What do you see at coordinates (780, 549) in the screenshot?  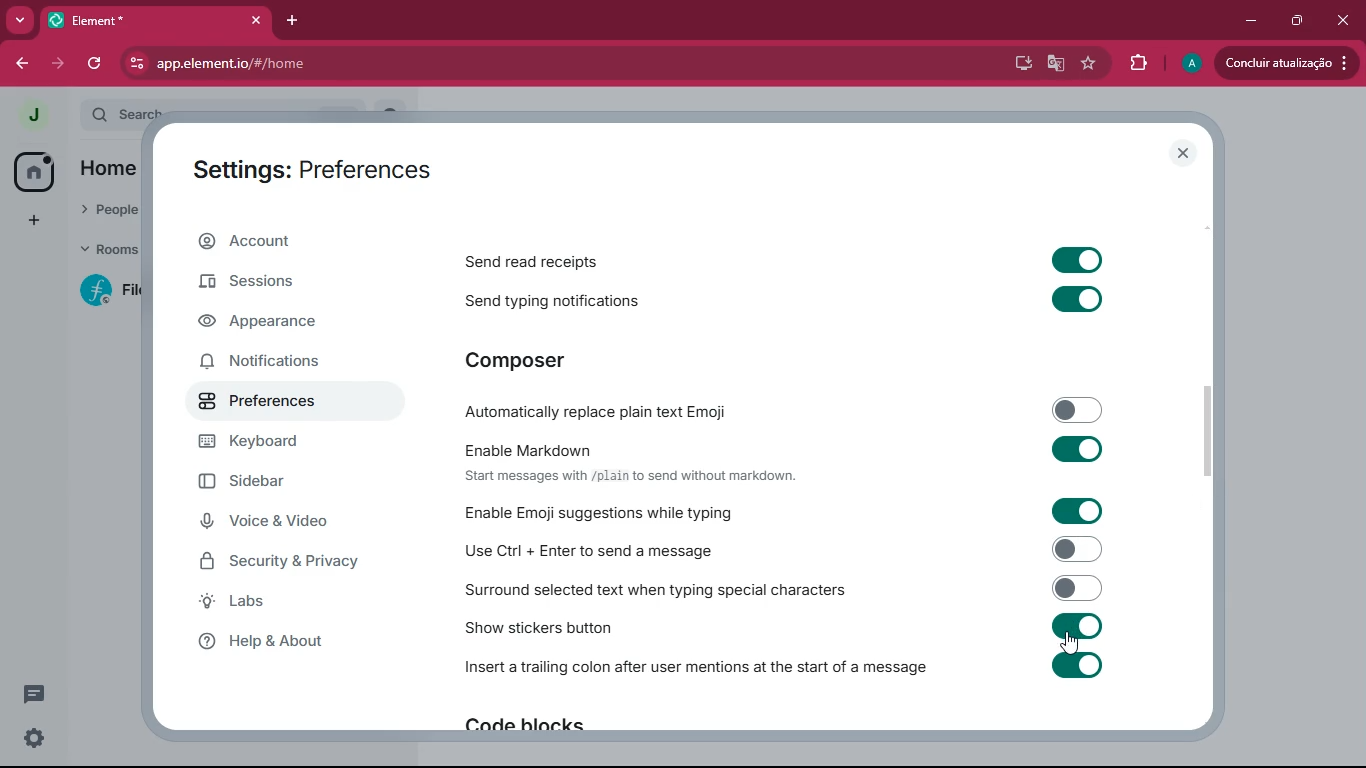 I see `Use Ctrl + Enter to send a message` at bounding box center [780, 549].